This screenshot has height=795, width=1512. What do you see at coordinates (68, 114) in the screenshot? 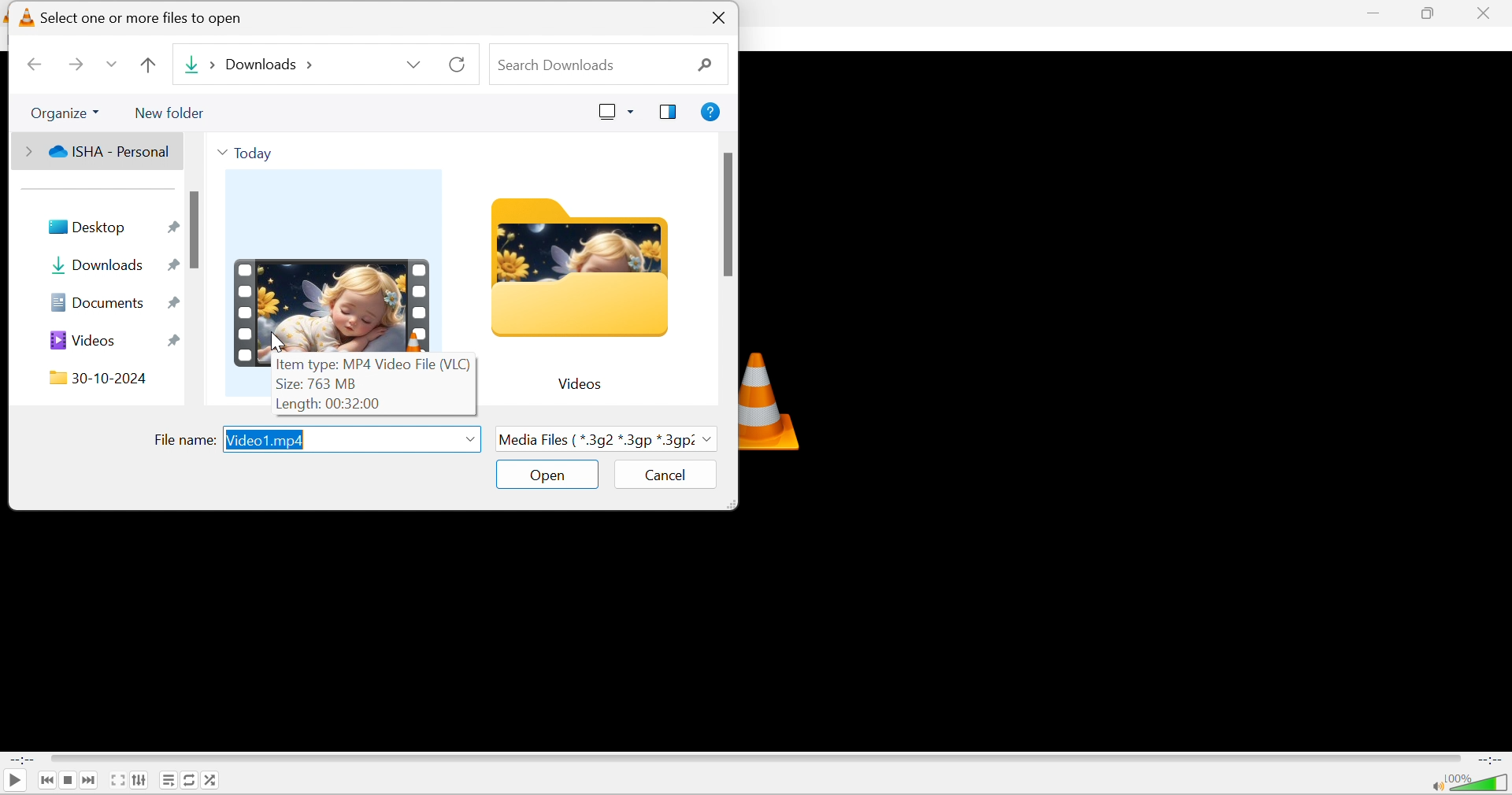
I see `Organize` at bounding box center [68, 114].